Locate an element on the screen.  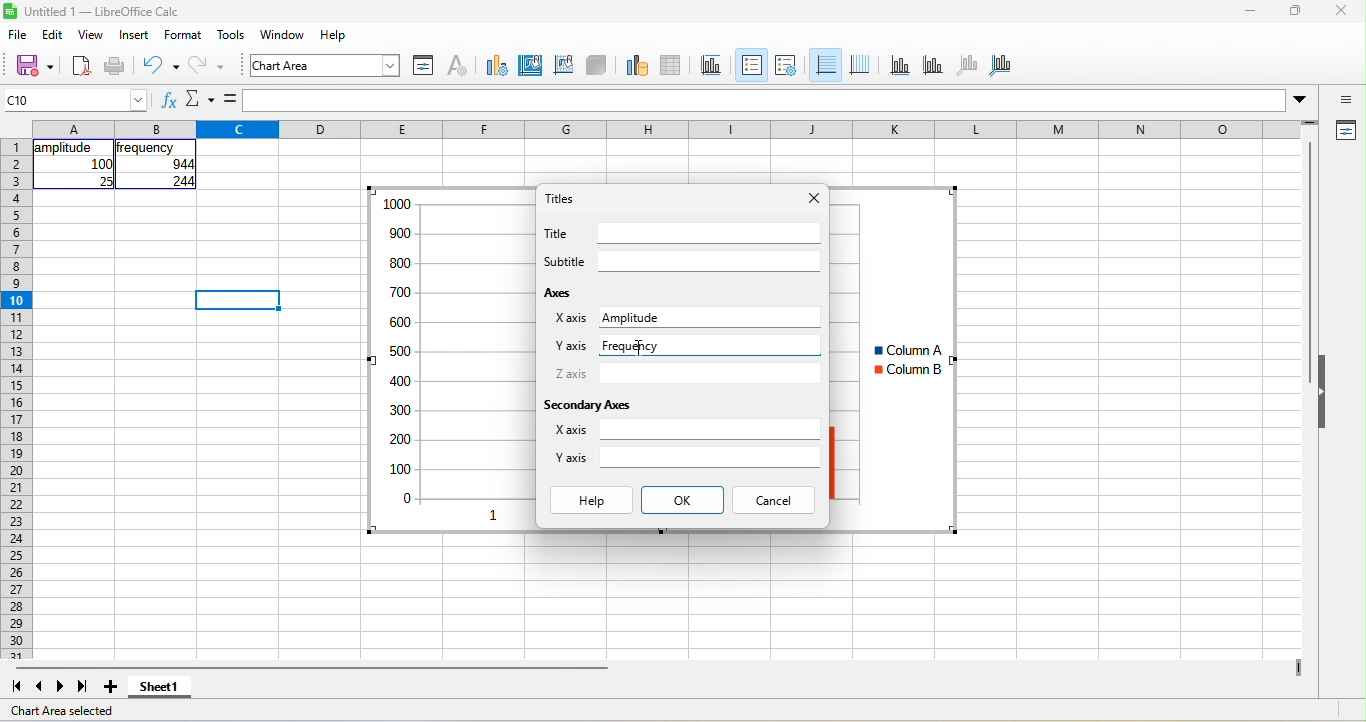
file is located at coordinates (18, 34).